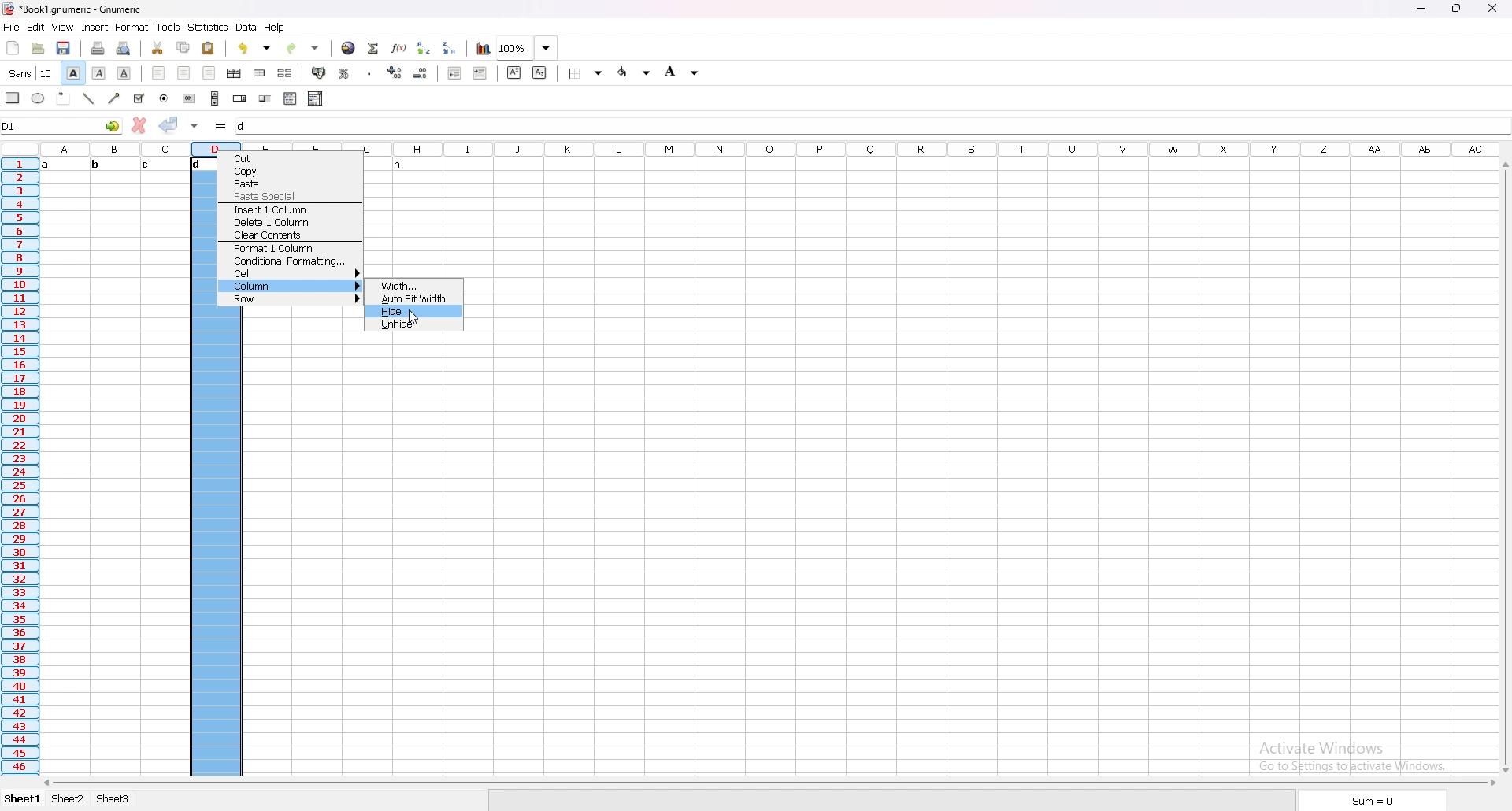  What do you see at coordinates (98, 49) in the screenshot?
I see `print` at bounding box center [98, 49].